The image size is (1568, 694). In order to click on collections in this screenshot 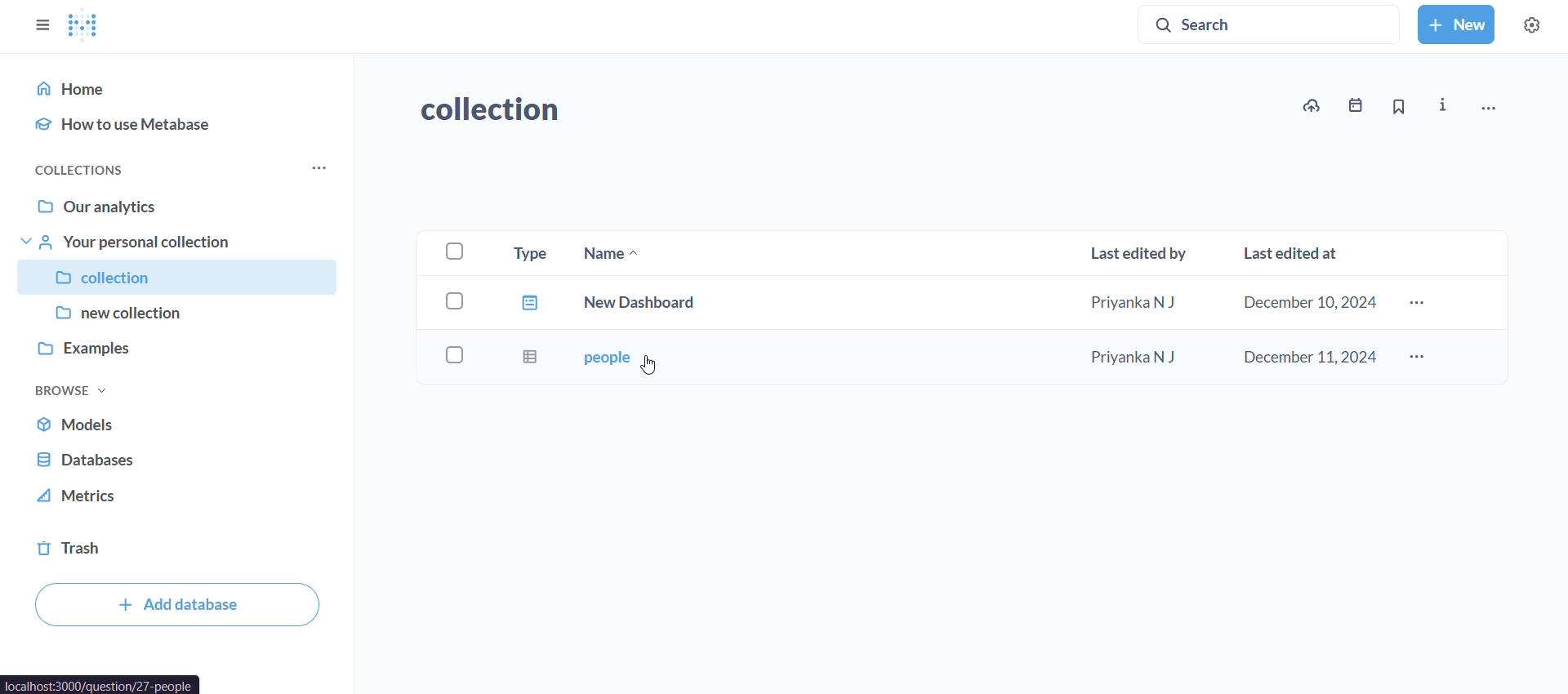, I will do `click(84, 170)`.